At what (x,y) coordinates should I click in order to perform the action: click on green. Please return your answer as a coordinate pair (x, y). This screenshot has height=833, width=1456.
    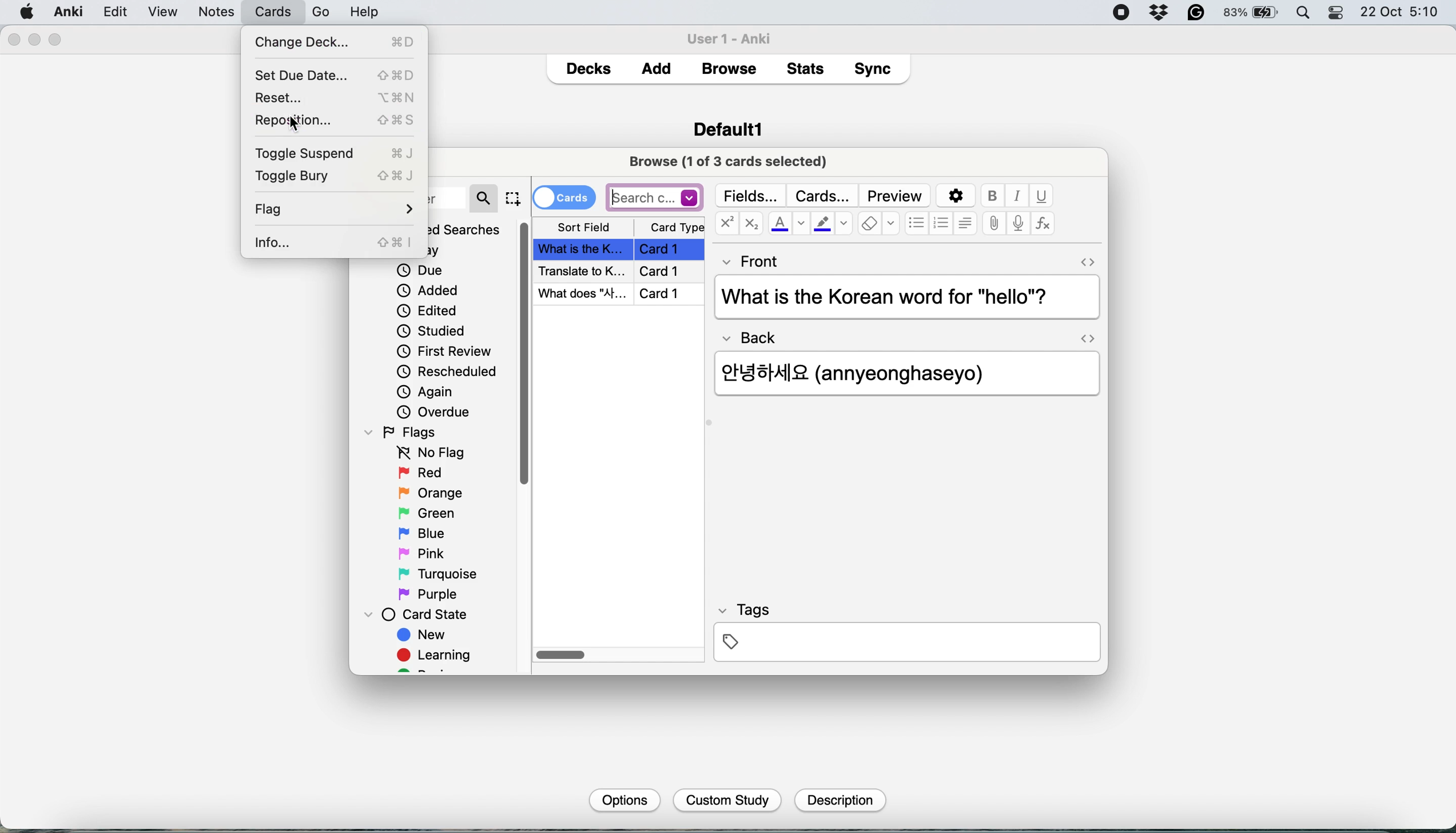
    Looking at the image, I should click on (435, 512).